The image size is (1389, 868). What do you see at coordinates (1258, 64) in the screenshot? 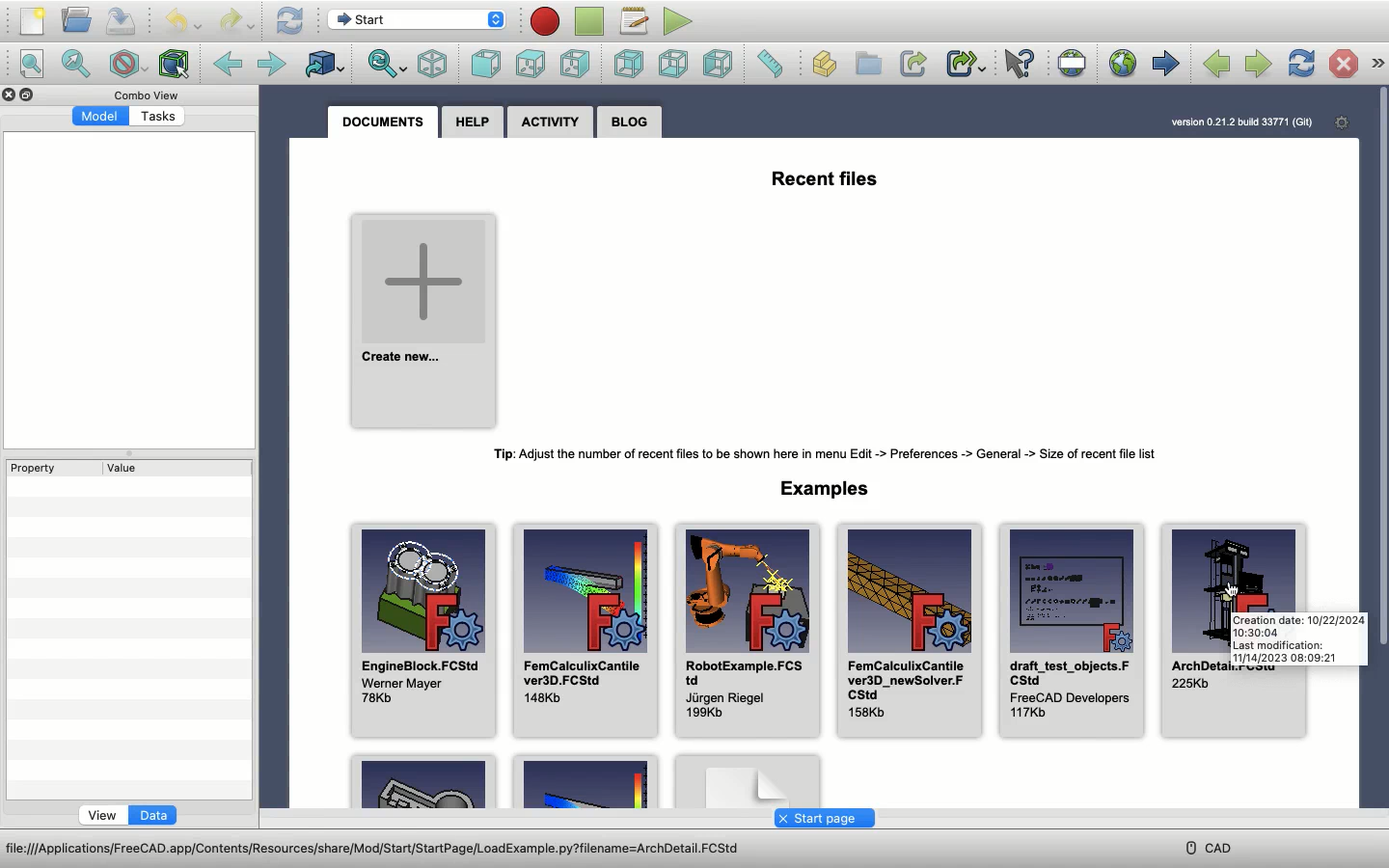
I see `Next page` at bounding box center [1258, 64].